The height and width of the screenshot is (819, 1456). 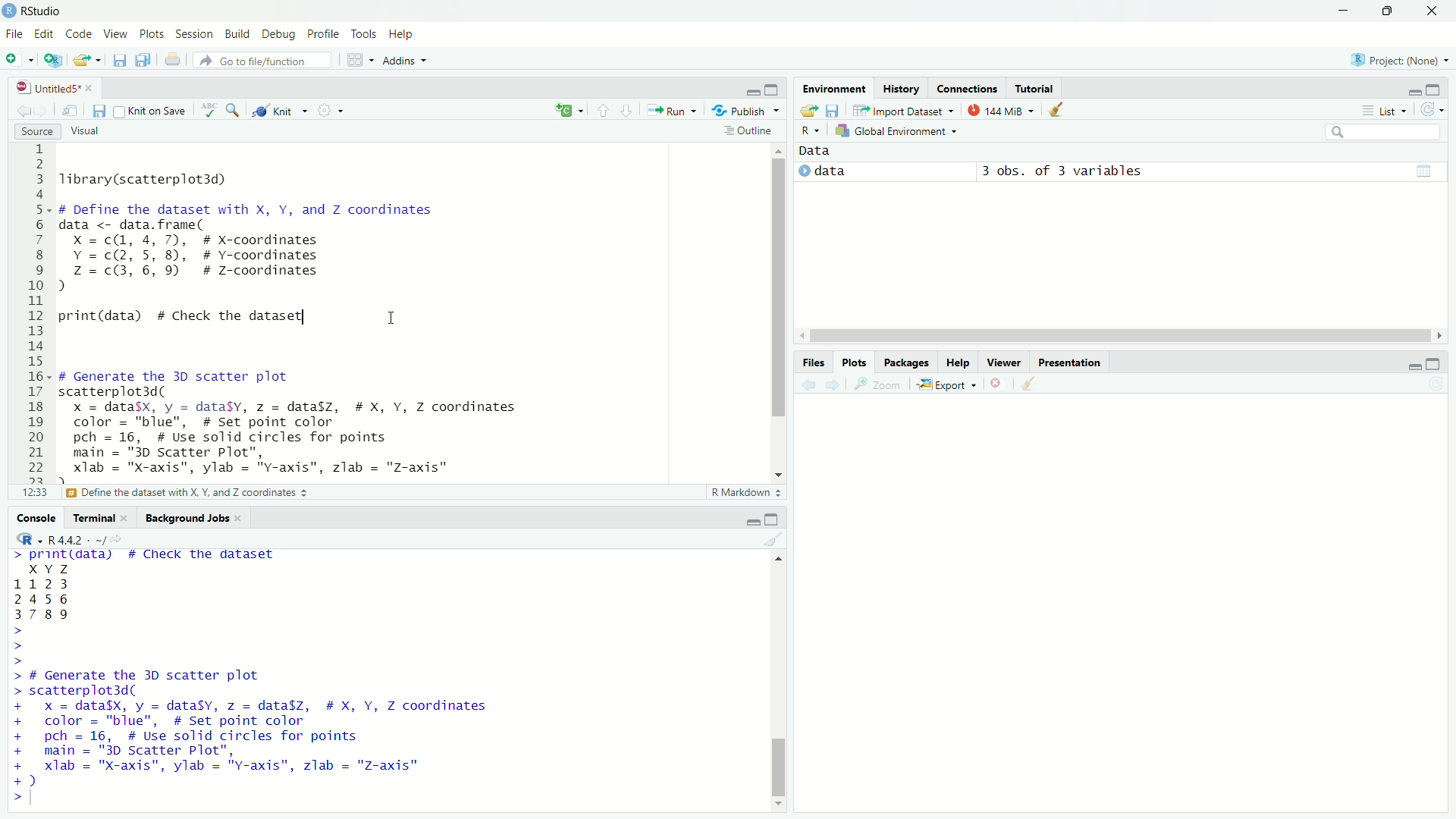 What do you see at coordinates (1403, 60) in the screenshot?
I see `project: (None)` at bounding box center [1403, 60].